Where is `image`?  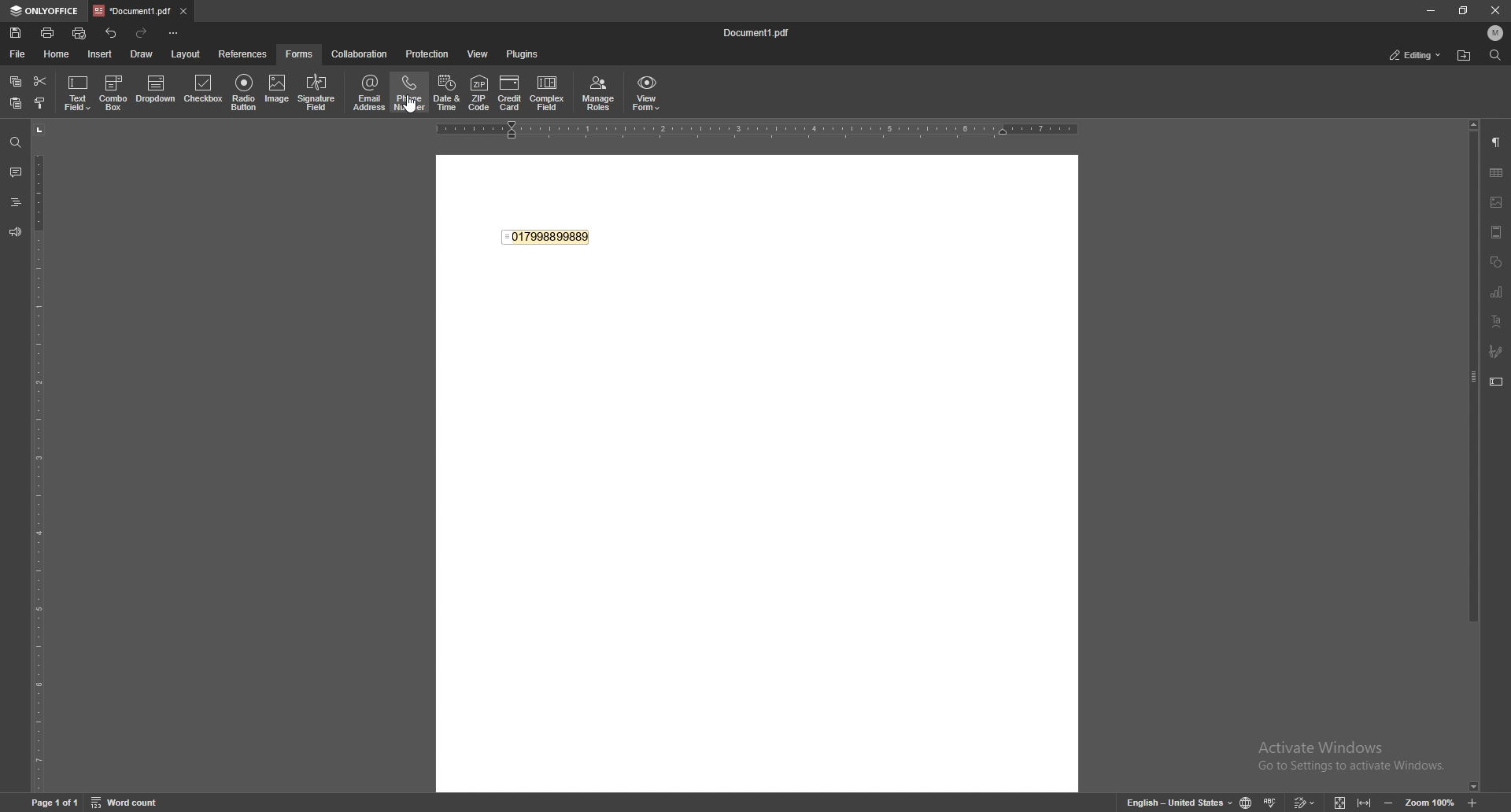 image is located at coordinates (278, 91).